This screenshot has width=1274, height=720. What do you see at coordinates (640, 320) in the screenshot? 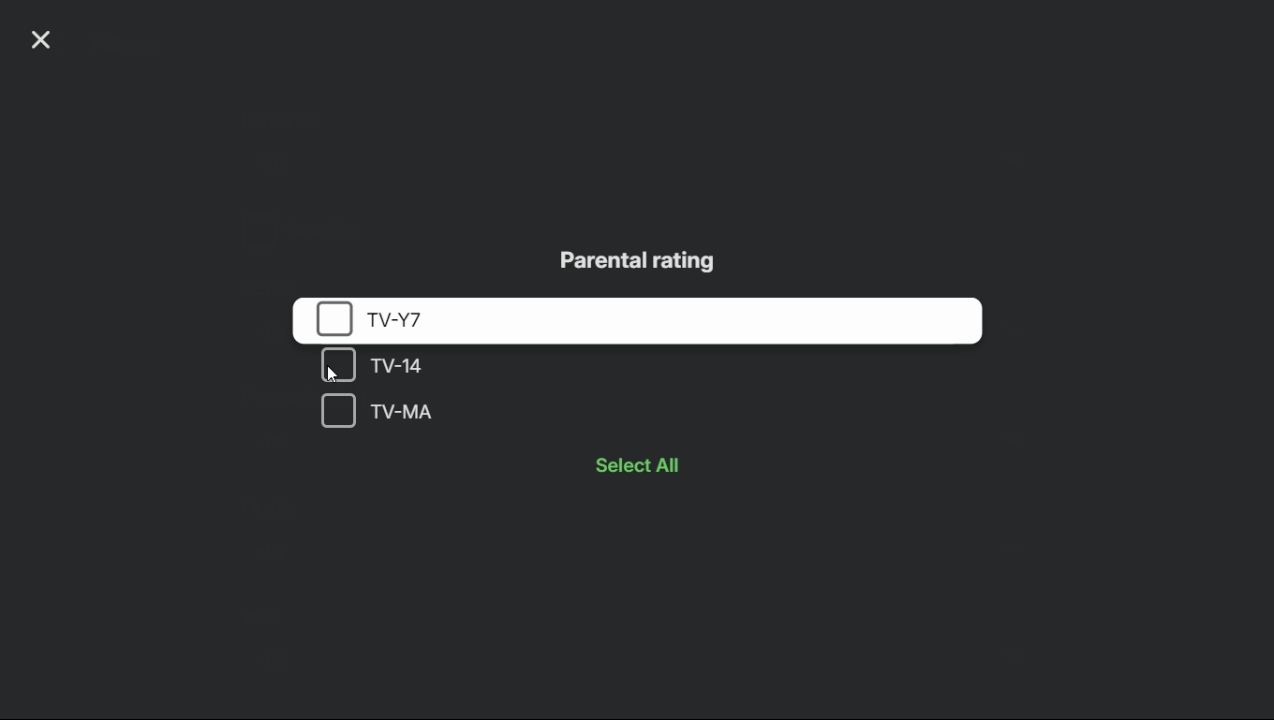
I see `checkbox: TV-Y7` at bounding box center [640, 320].